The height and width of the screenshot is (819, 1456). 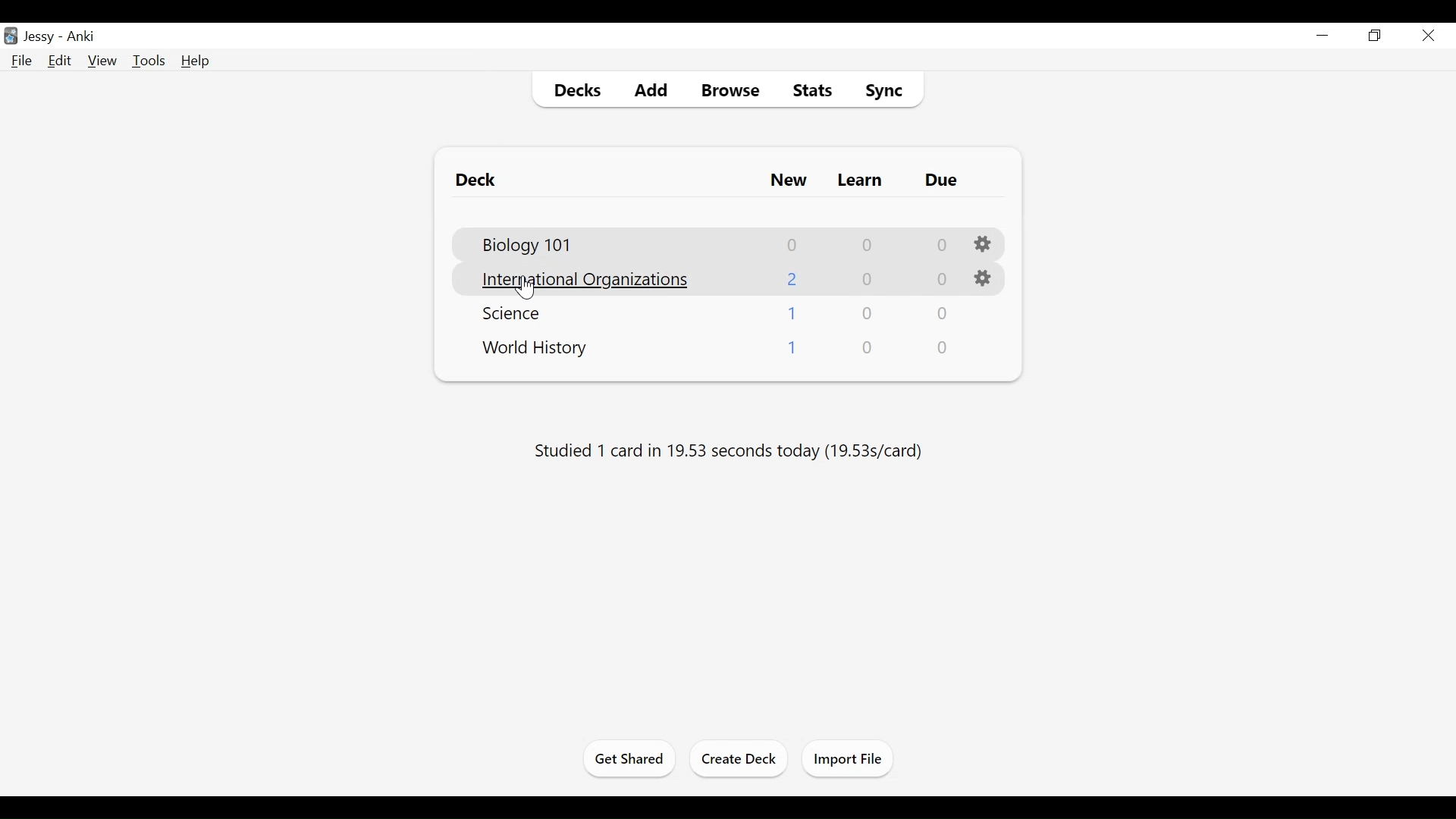 I want to click on Learn Card Count, so click(x=868, y=245).